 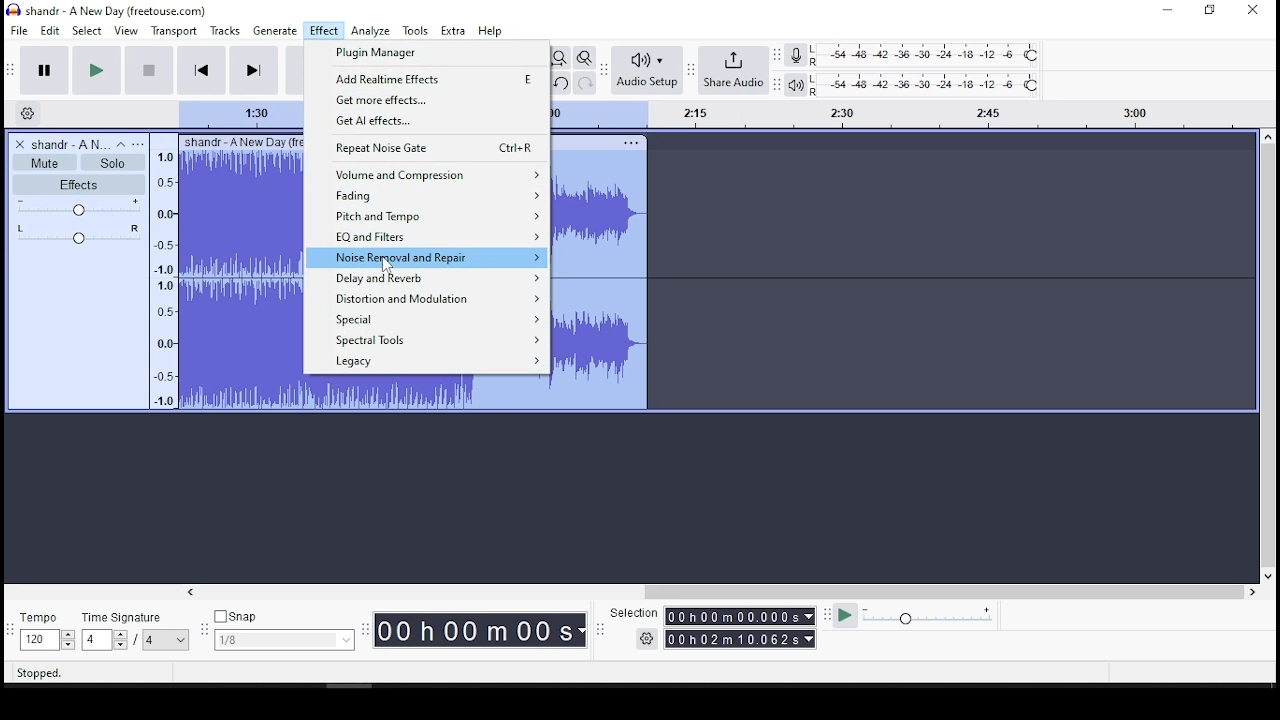 What do you see at coordinates (426, 236) in the screenshot?
I see `EQ and filter` at bounding box center [426, 236].